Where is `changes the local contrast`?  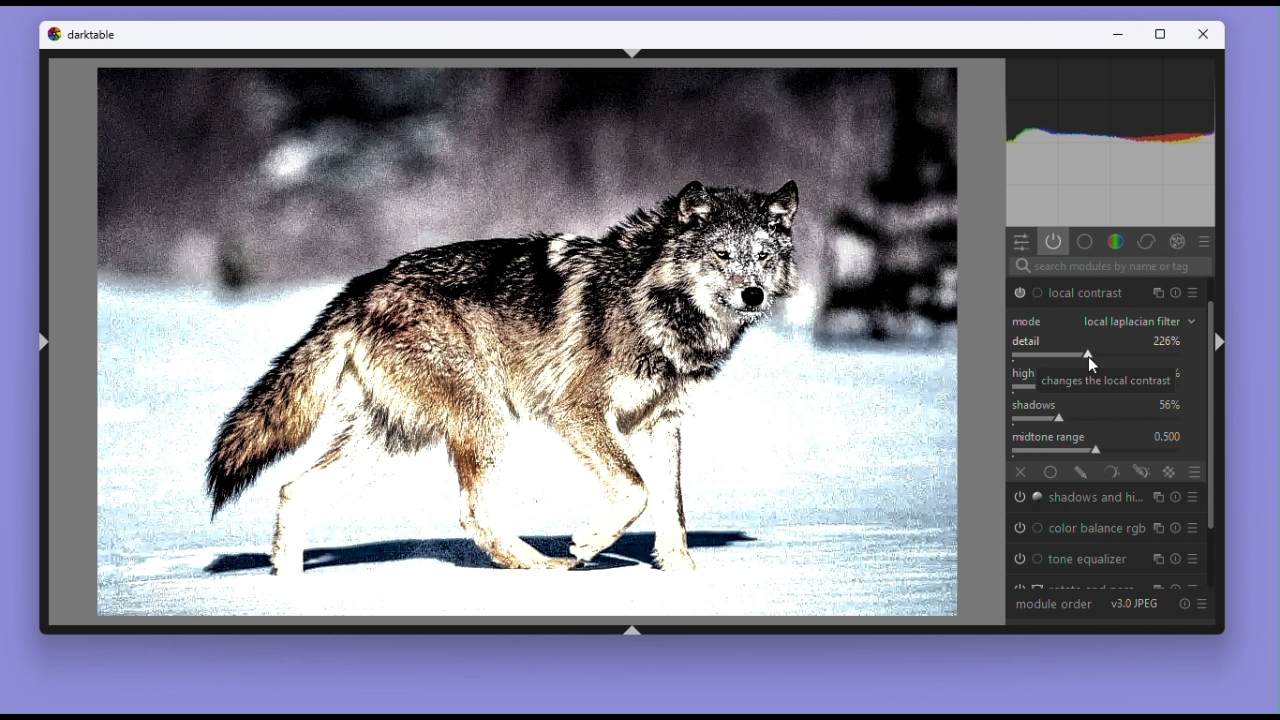 changes the local contrast is located at coordinates (1037, 354).